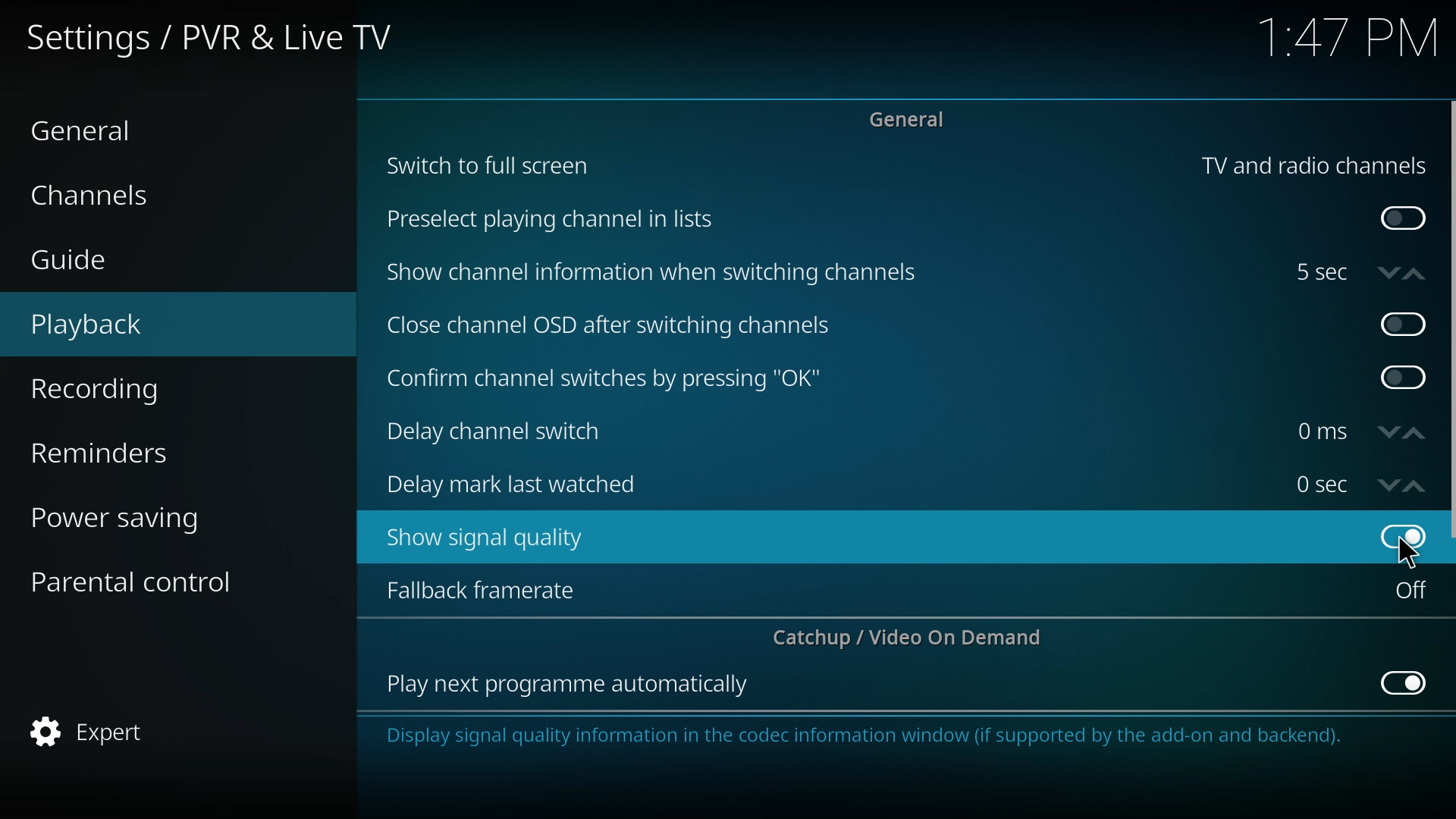 The height and width of the screenshot is (819, 1456). Describe the element at coordinates (1404, 219) in the screenshot. I see `on` at that location.